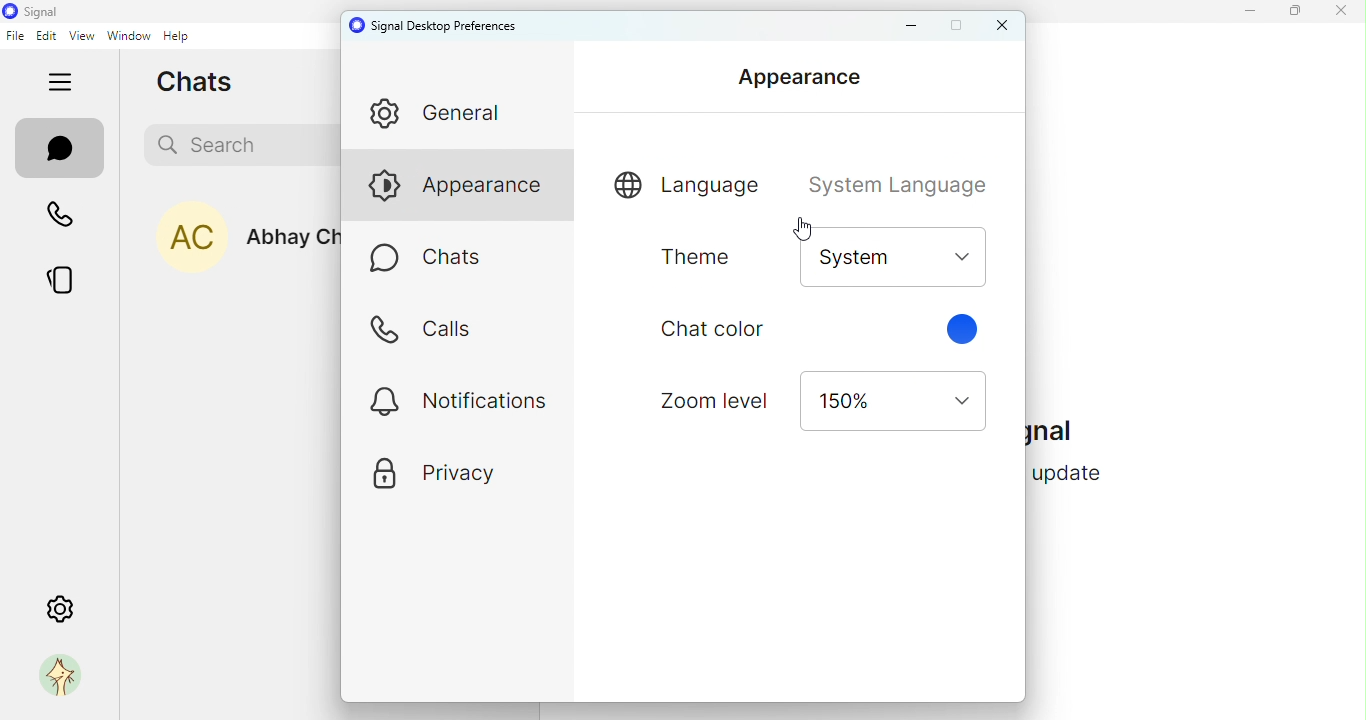 The height and width of the screenshot is (720, 1366). I want to click on System language, so click(907, 187).